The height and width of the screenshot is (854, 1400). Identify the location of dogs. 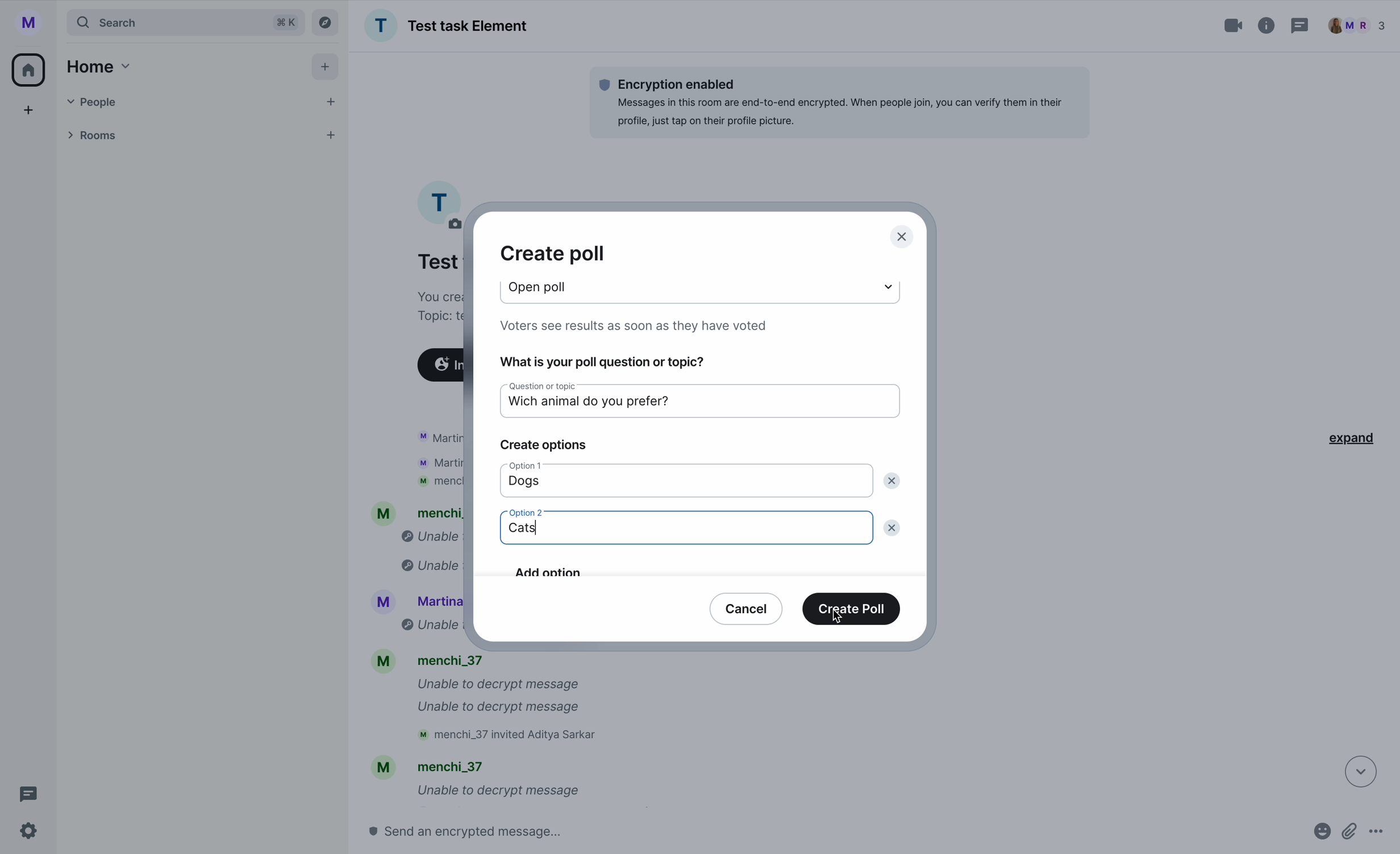
(522, 485).